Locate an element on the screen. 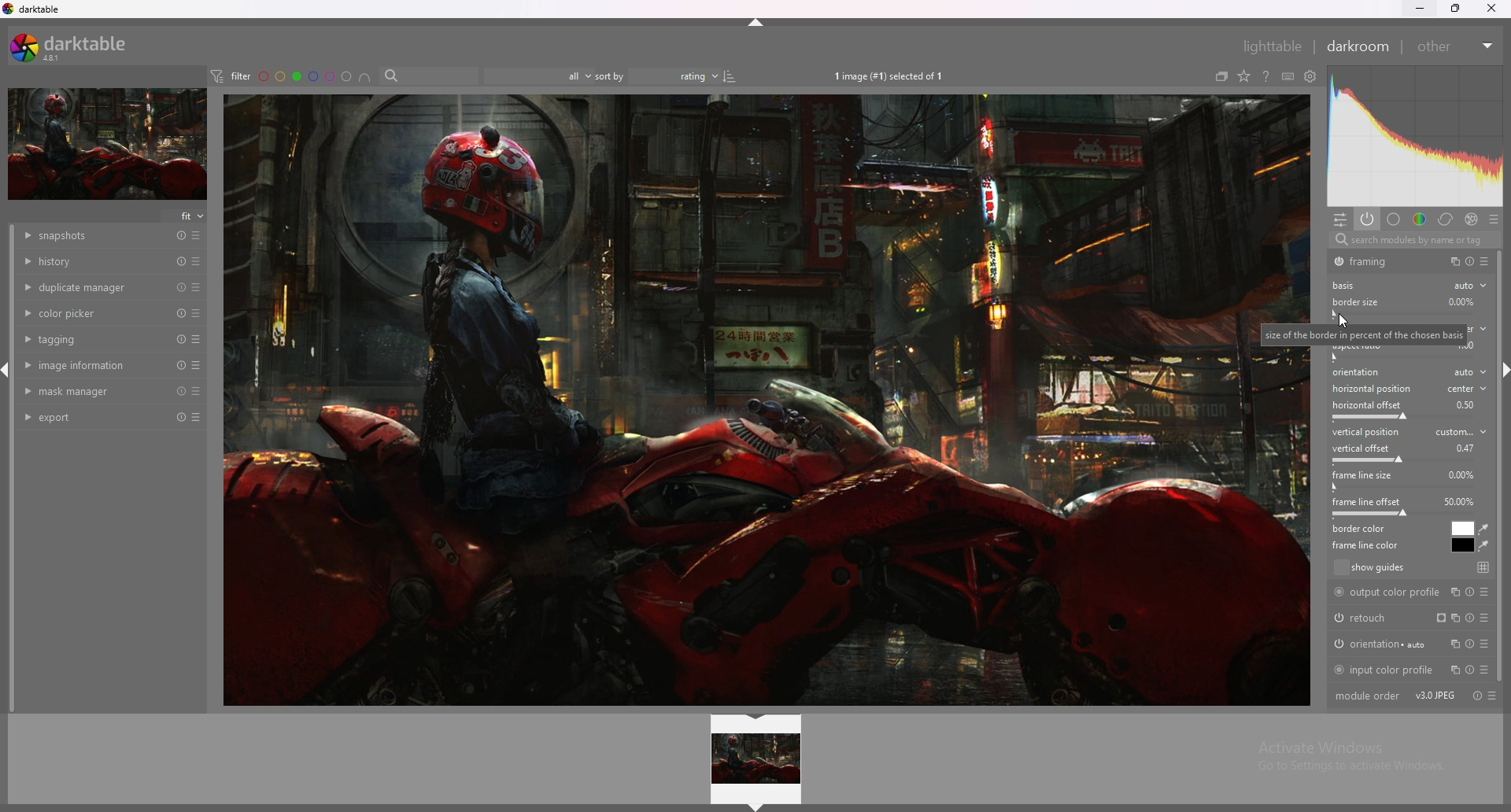 This screenshot has width=1511, height=812. 1 image (#1) selected of 1 is located at coordinates (896, 74).